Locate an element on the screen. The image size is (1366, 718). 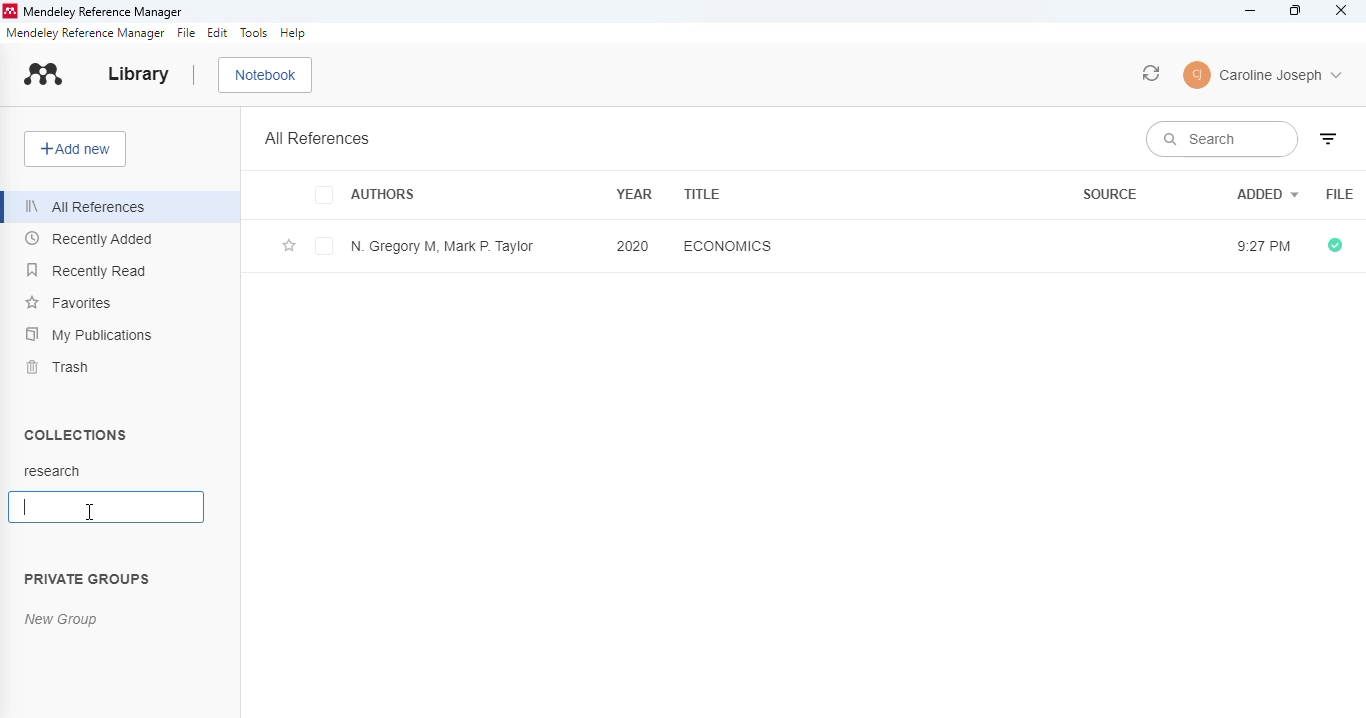
mendeley reference manager is located at coordinates (102, 12).